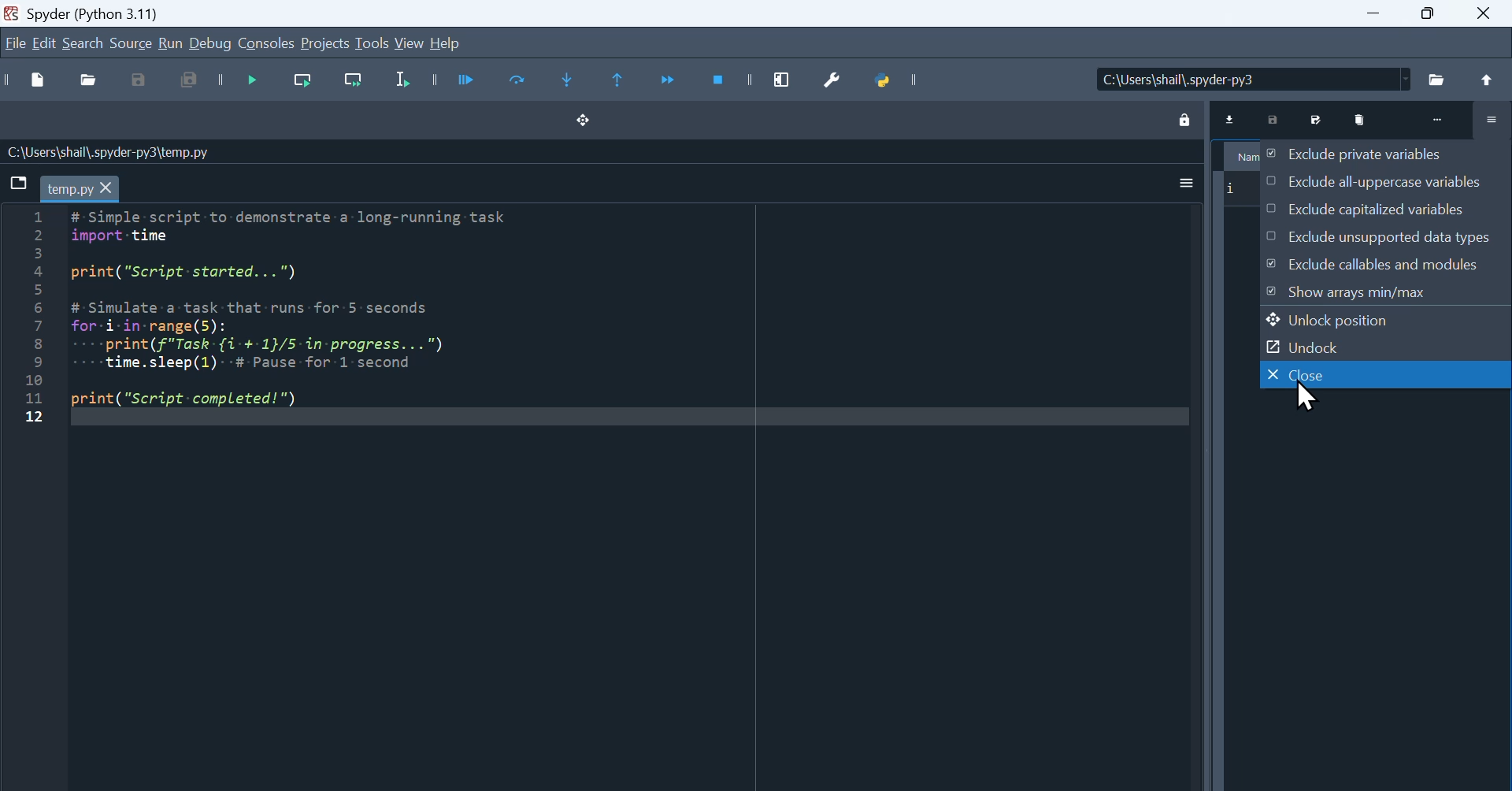 The height and width of the screenshot is (791, 1512). What do you see at coordinates (304, 309) in the screenshot?
I see `Simple script to demonstrate a long running task` at bounding box center [304, 309].